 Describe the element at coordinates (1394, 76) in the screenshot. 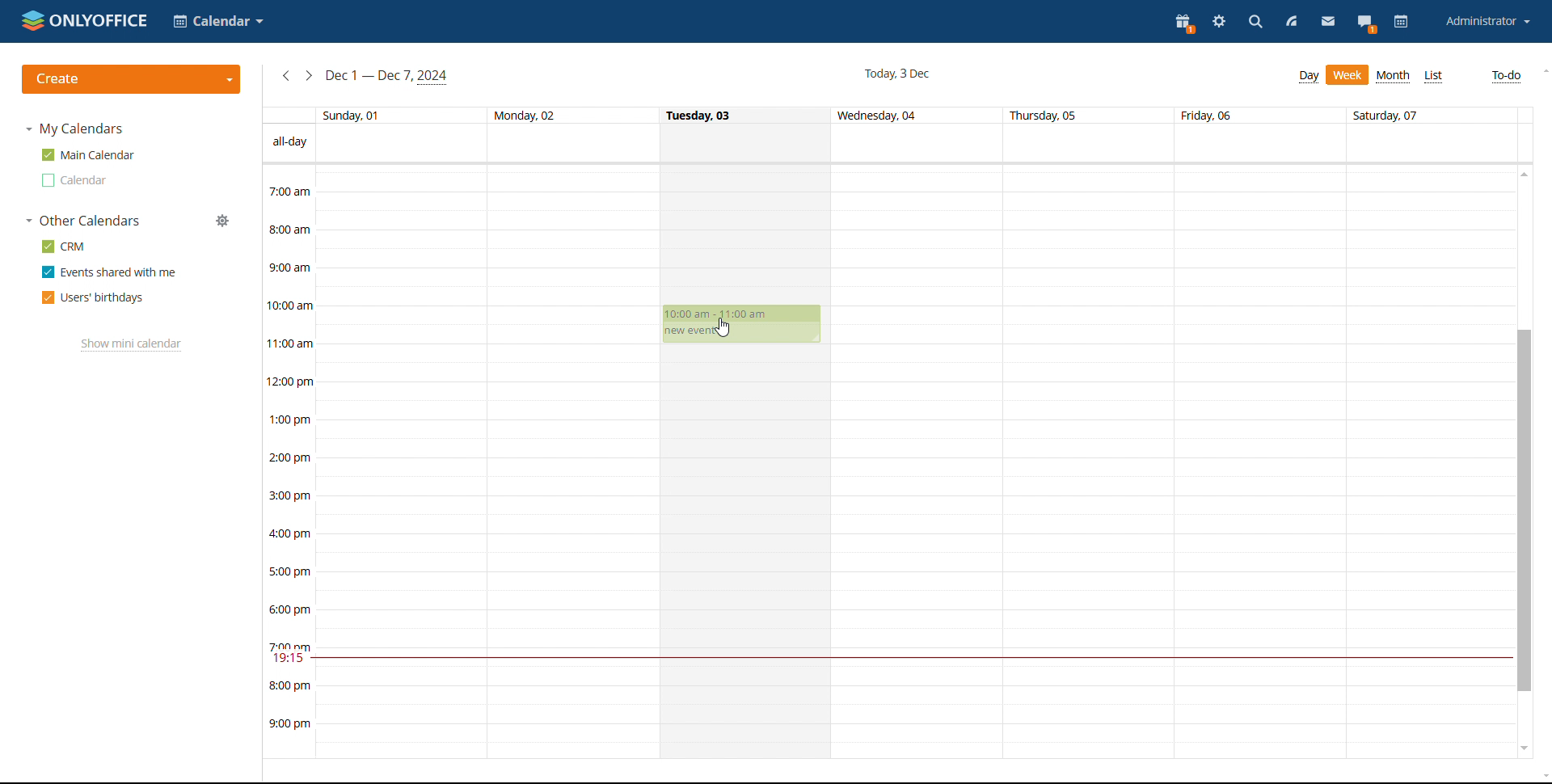

I see `Month` at that location.